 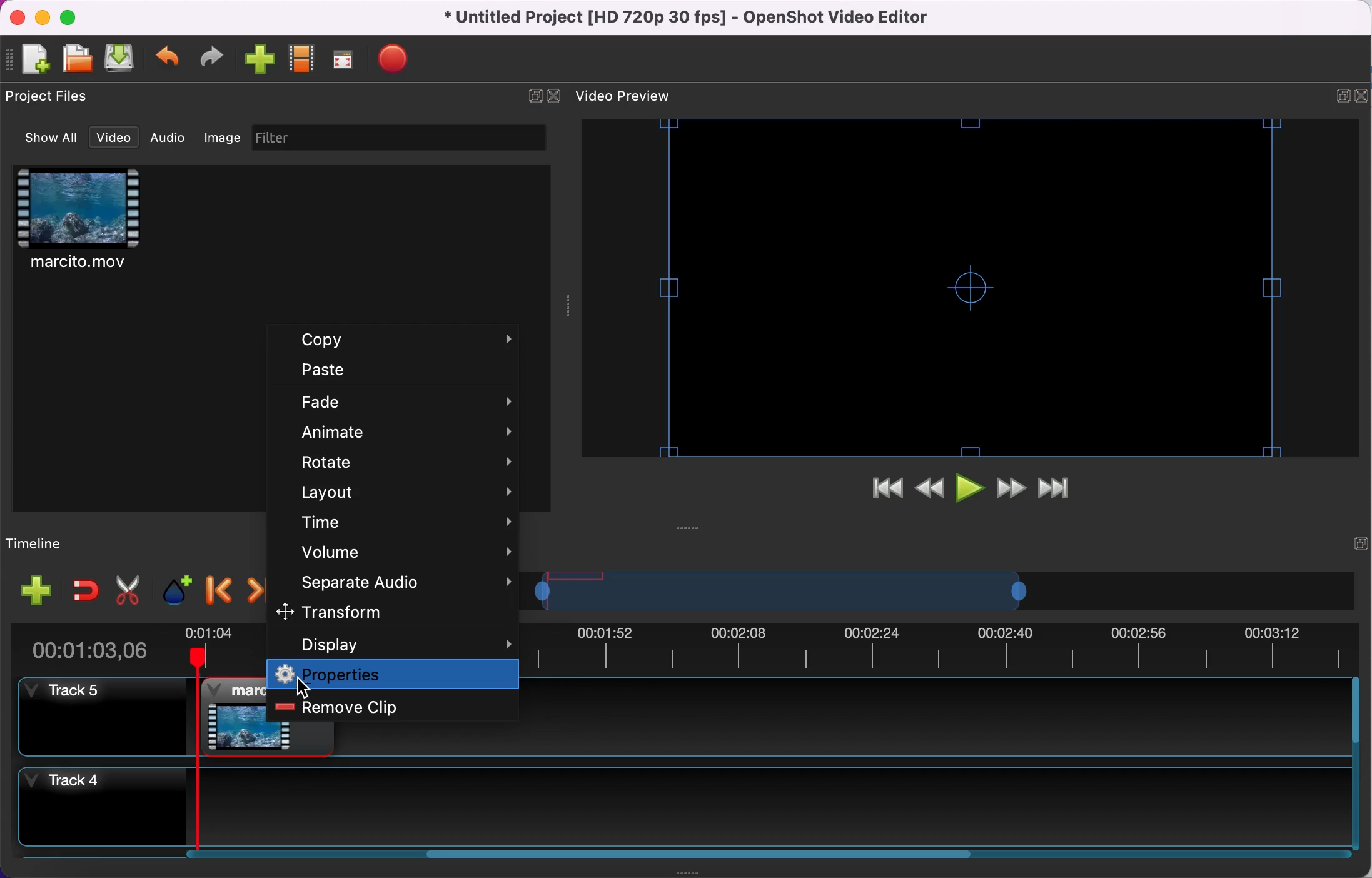 I want to click on copy, so click(x=395, y=341).